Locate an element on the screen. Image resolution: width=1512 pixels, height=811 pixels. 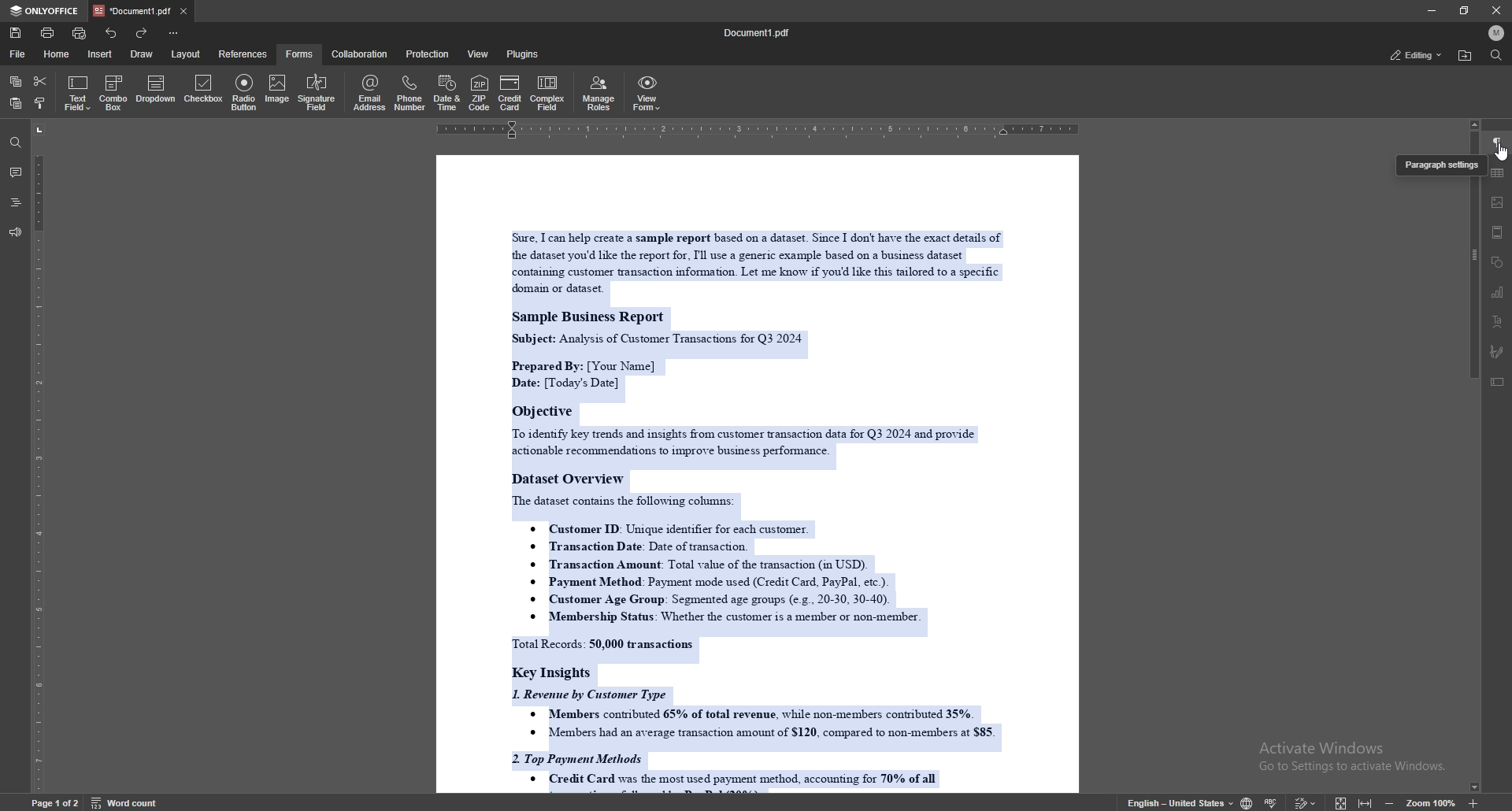
zoom is located at coordinates (1432, 802).